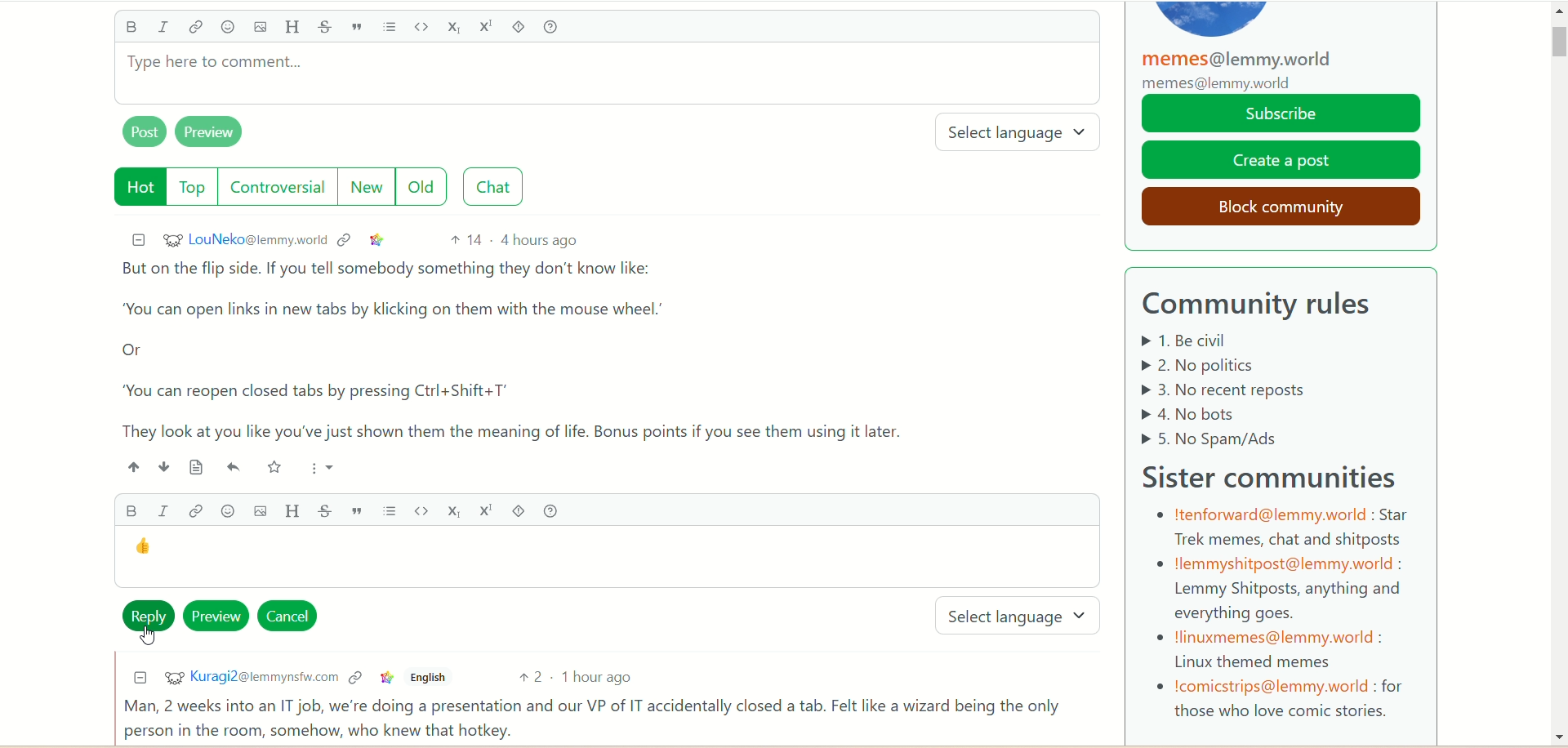 The width and height of the screenshot is (1568, 748). I want to click on chat, so click(499, 187).